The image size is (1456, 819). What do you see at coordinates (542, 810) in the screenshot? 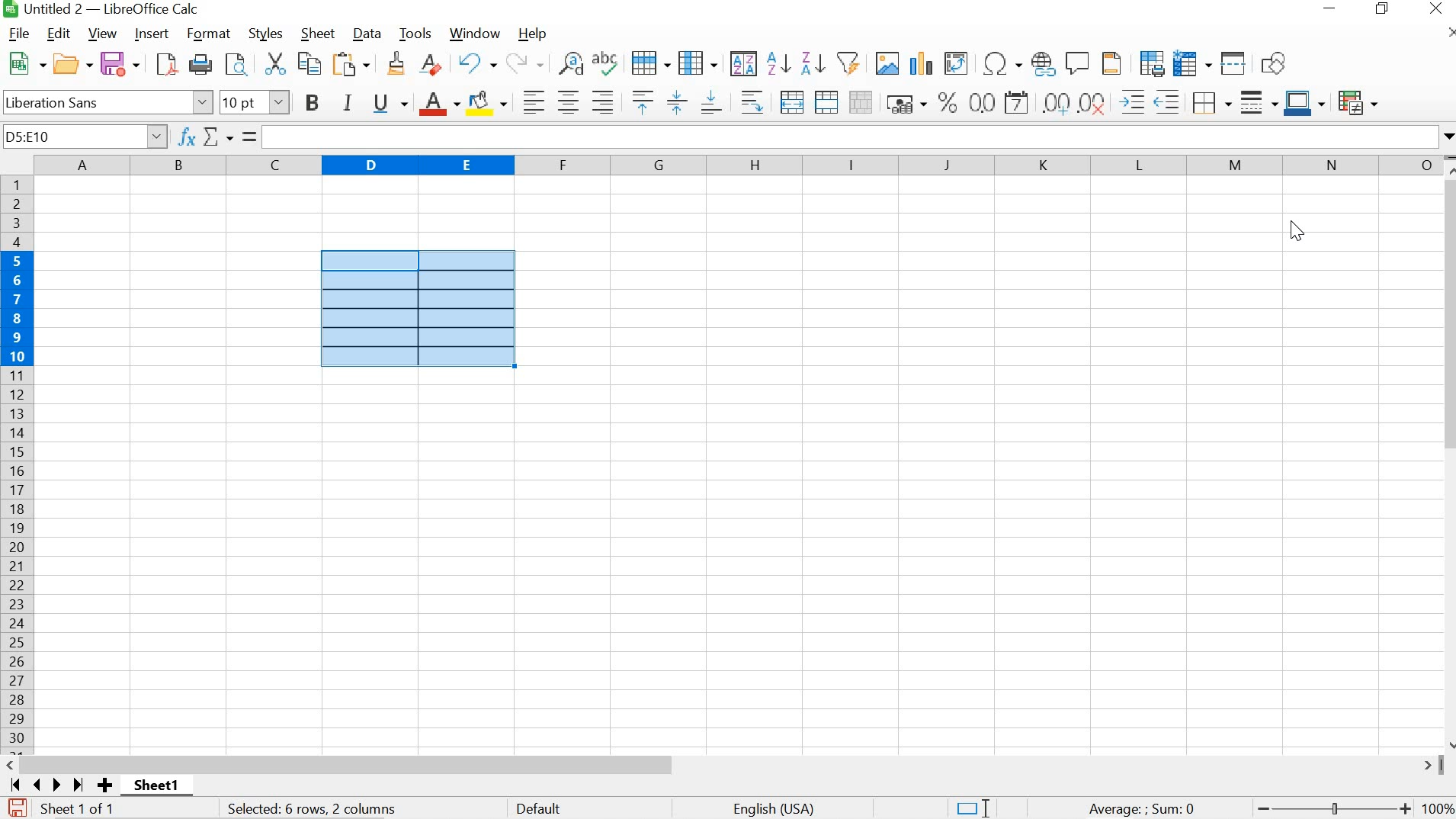
I see `DEFAULT` at bounding box center [542, 810].